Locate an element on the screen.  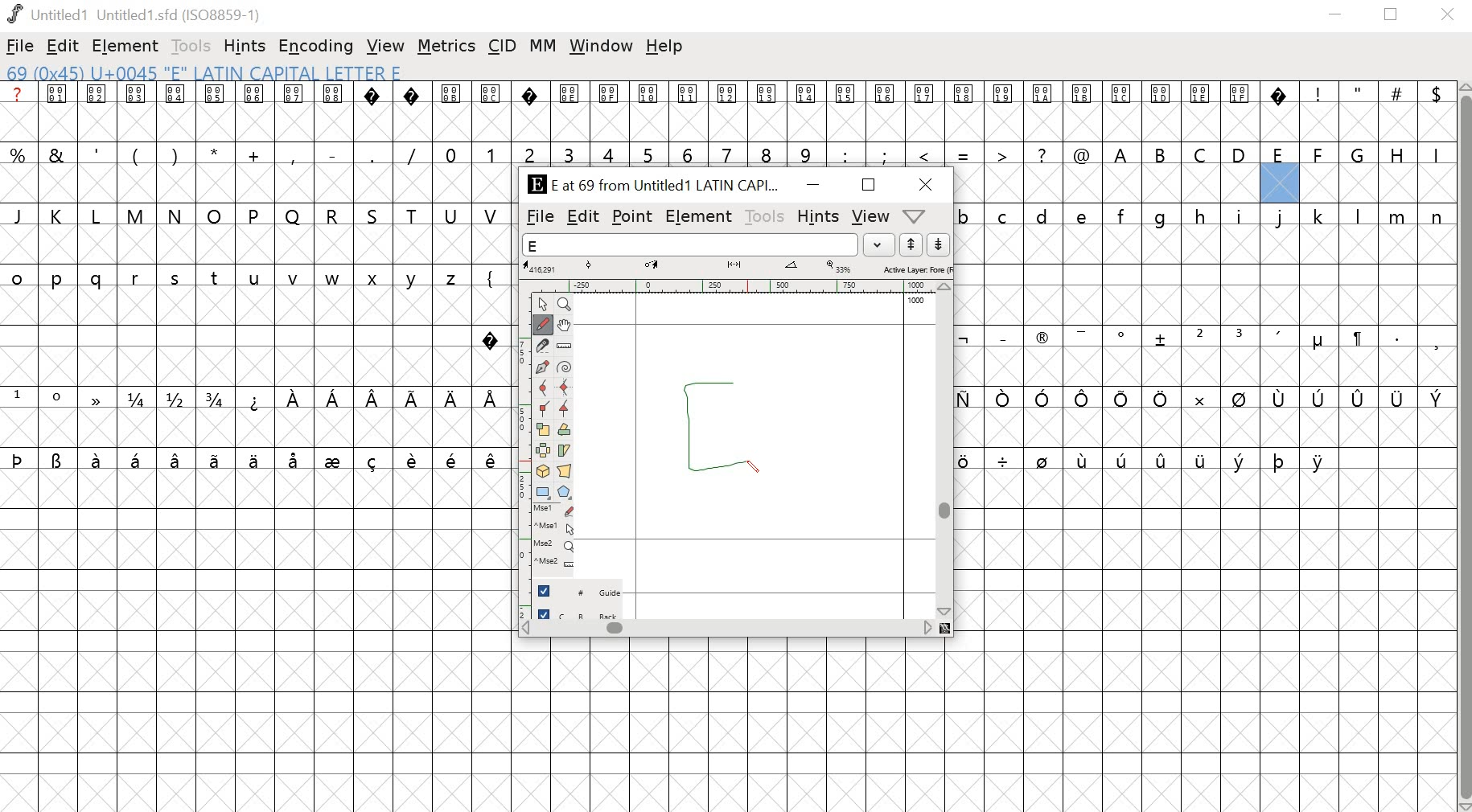
scrollbar is located at coordinates (734, 630).